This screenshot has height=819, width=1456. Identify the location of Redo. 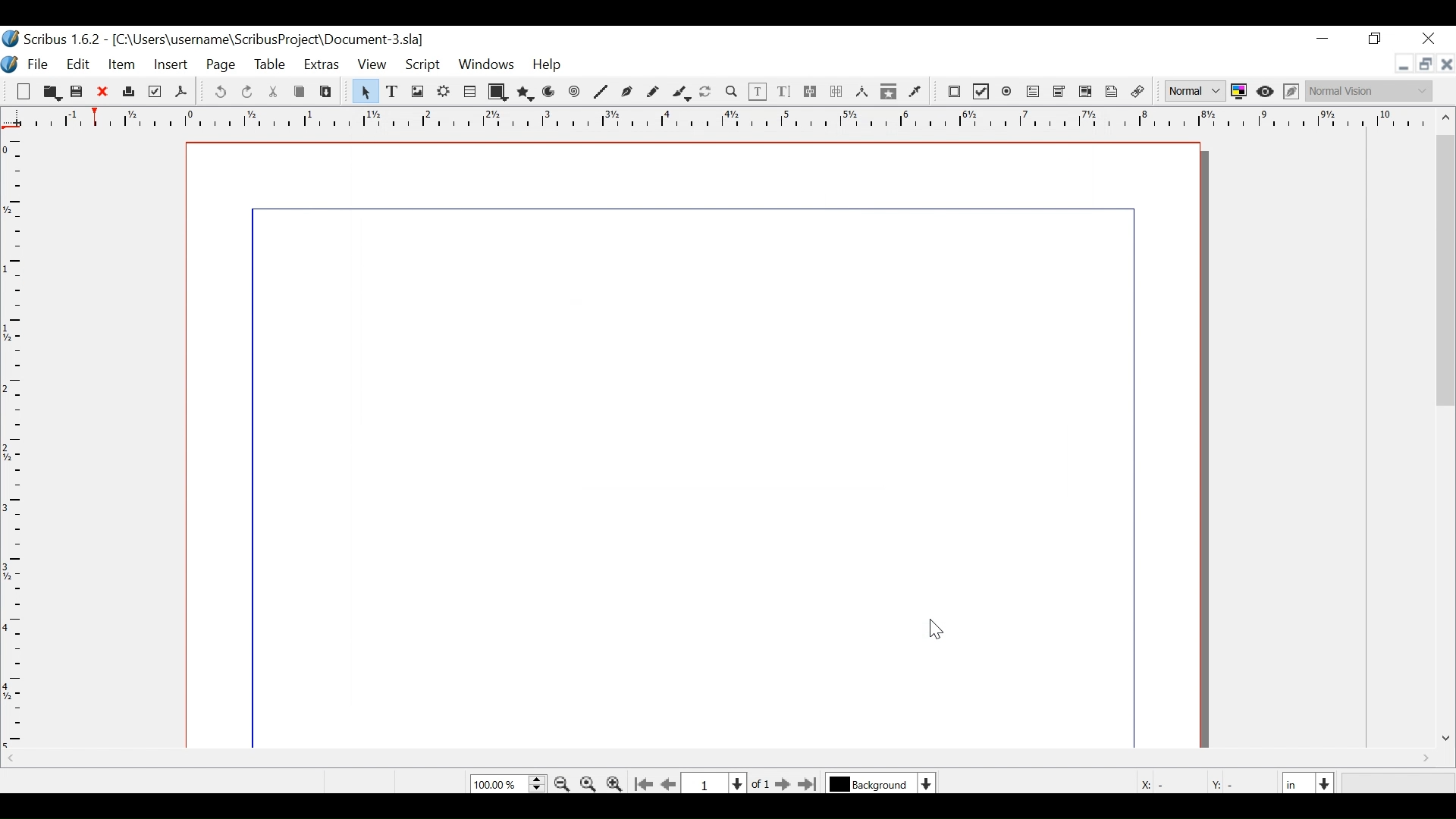
(246, 92).